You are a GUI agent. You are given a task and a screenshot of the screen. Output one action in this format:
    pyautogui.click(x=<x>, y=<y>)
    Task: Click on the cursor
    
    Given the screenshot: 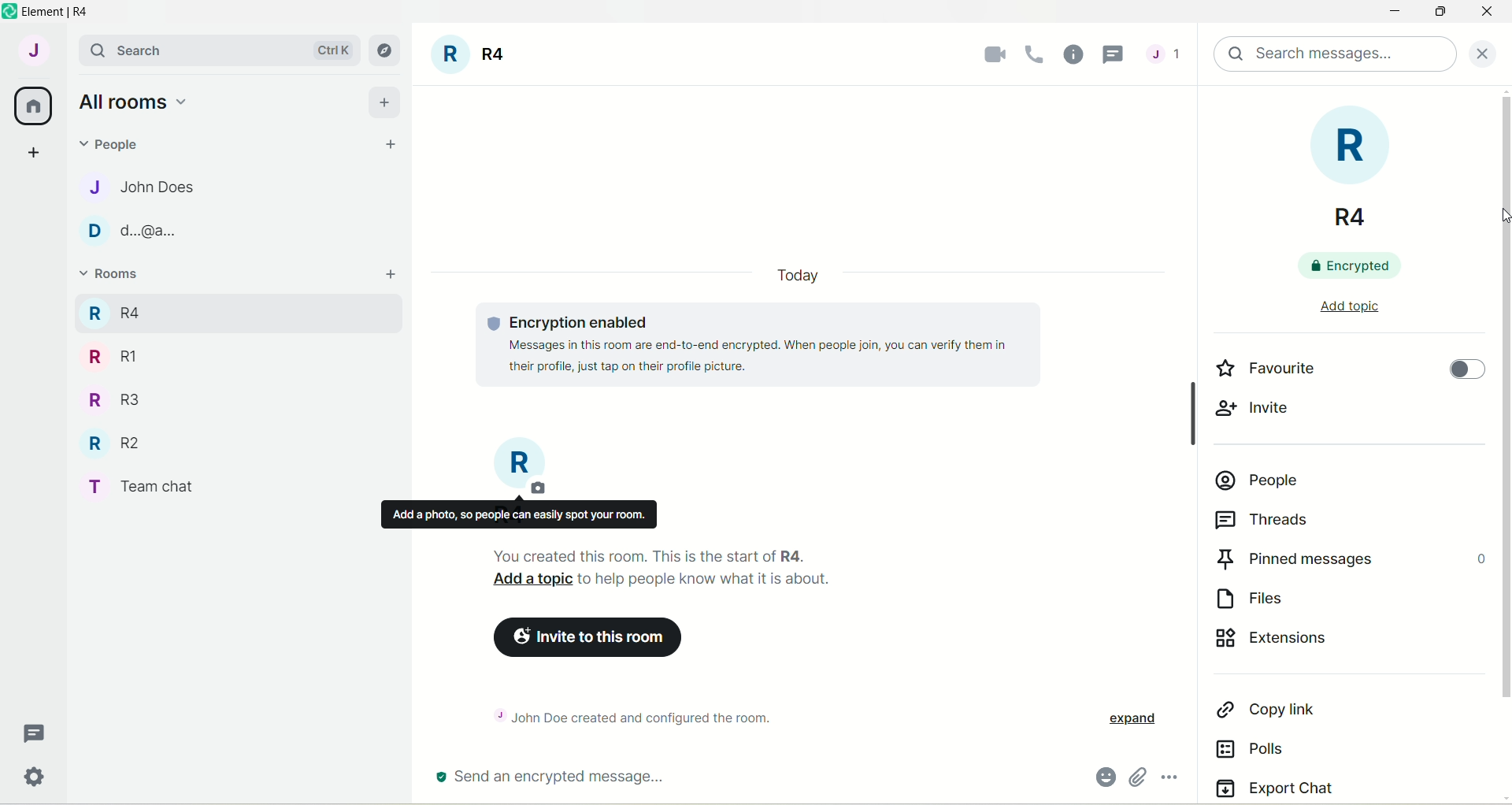 What is the action you would take?
    pyautogui.click(x=1494, y=219)
    